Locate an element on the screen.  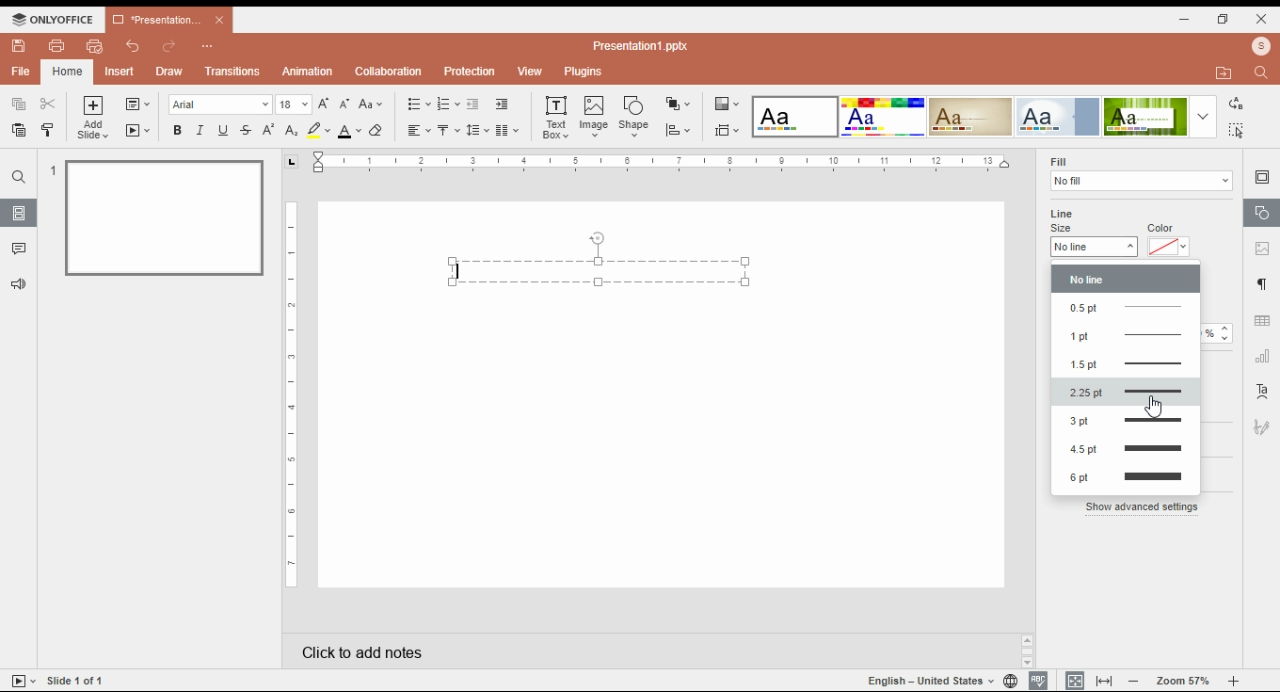
color theme is located at coordinates (795, 117).